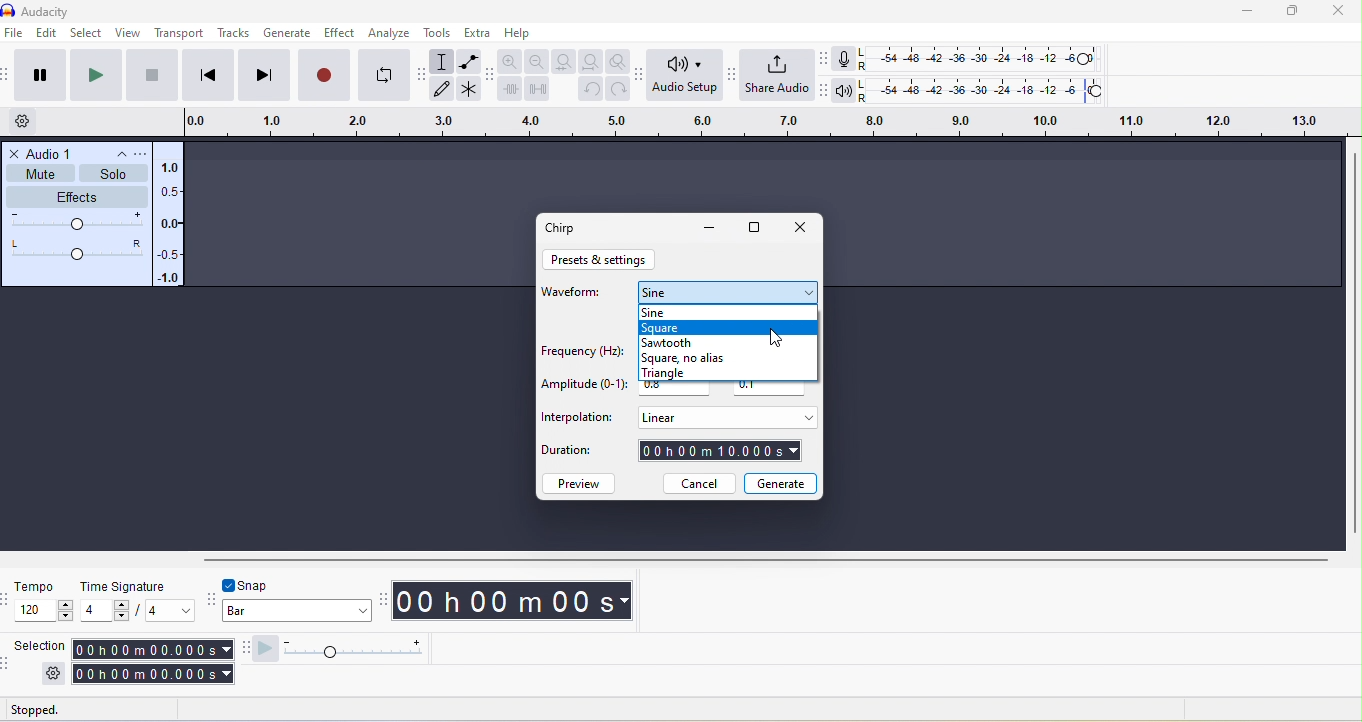 Image resolution: width=1362 pixels, height=722 pixels. Describe the element at coordinates (298, 613) in the screenshot. I see `bar` at that location.